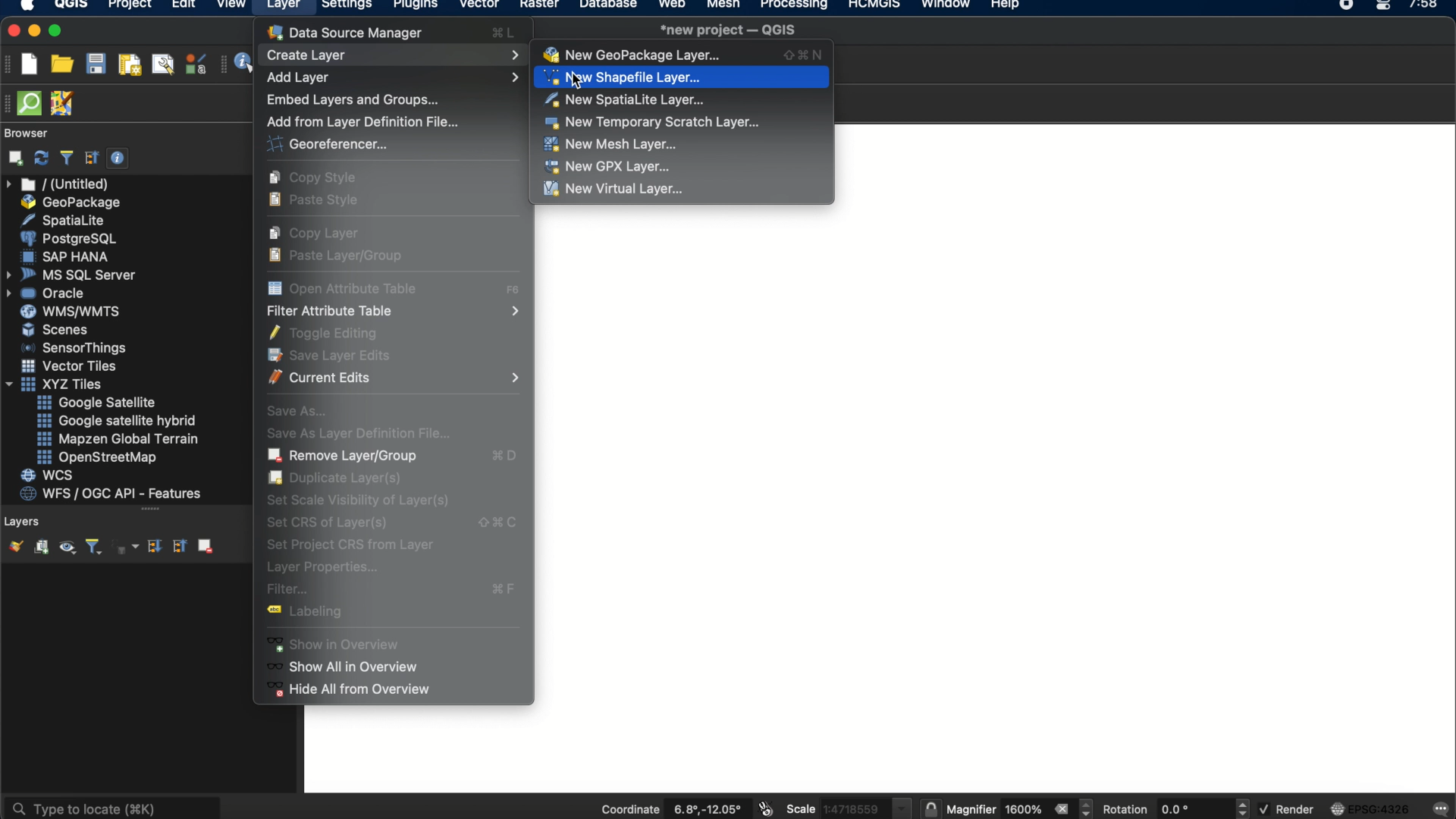  What do you see at coordinates (152, 547) in the screenshot?
I see `expand all` at bounding box center [152, 547].